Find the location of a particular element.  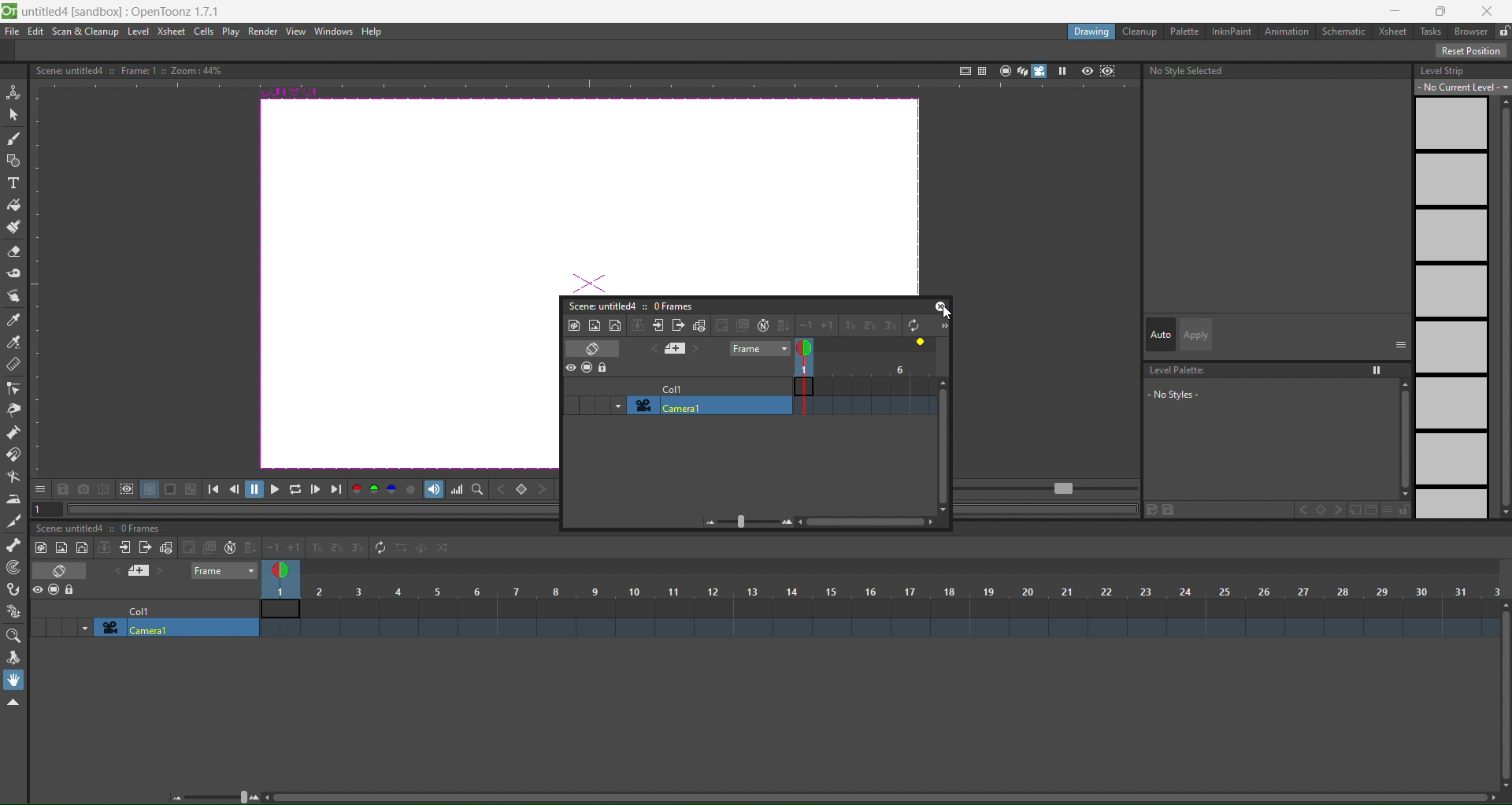

drawing is located at coordinates (1091, 32).